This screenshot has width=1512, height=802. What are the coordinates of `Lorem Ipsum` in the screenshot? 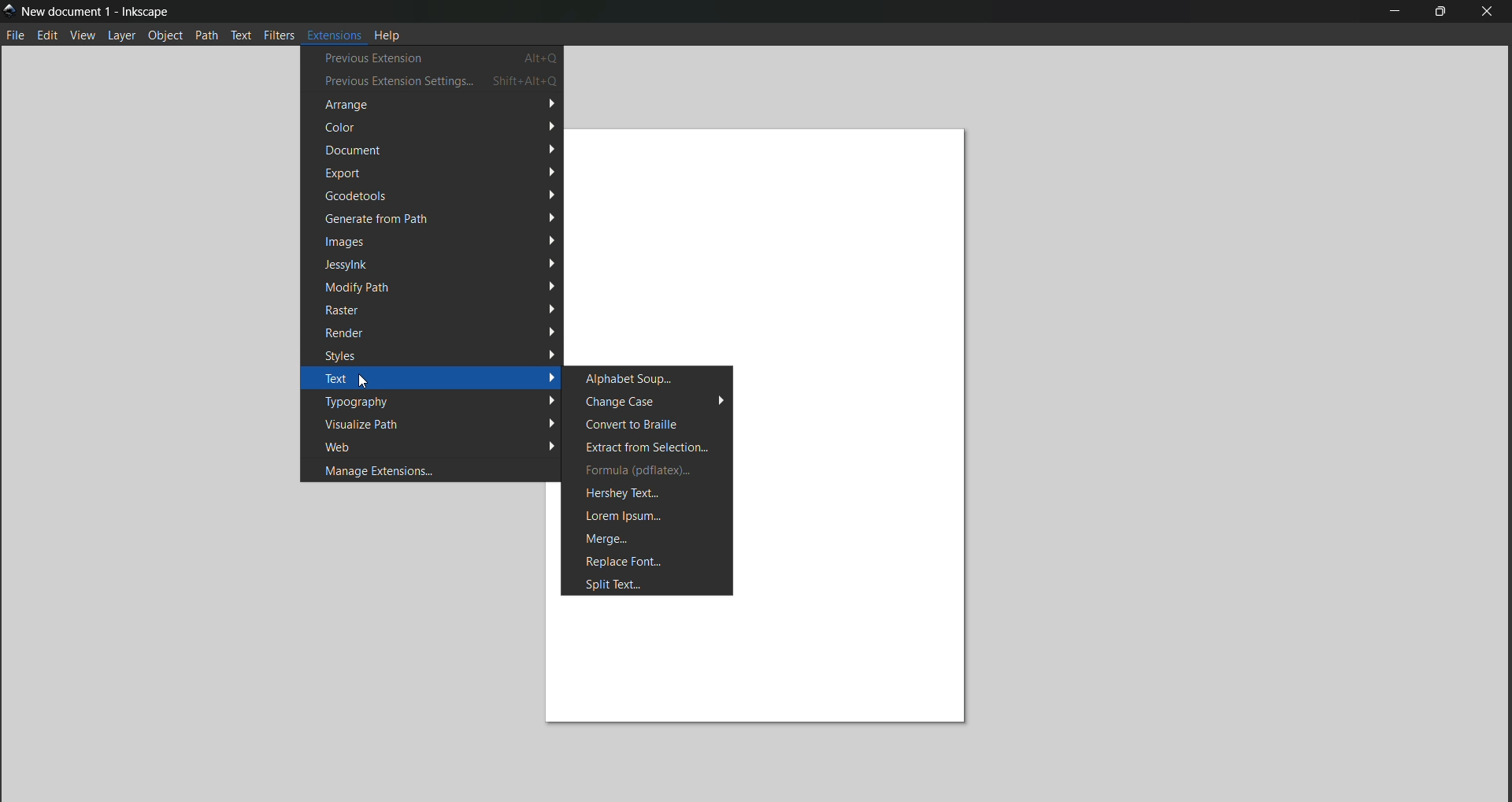 It's located at (647, 517).